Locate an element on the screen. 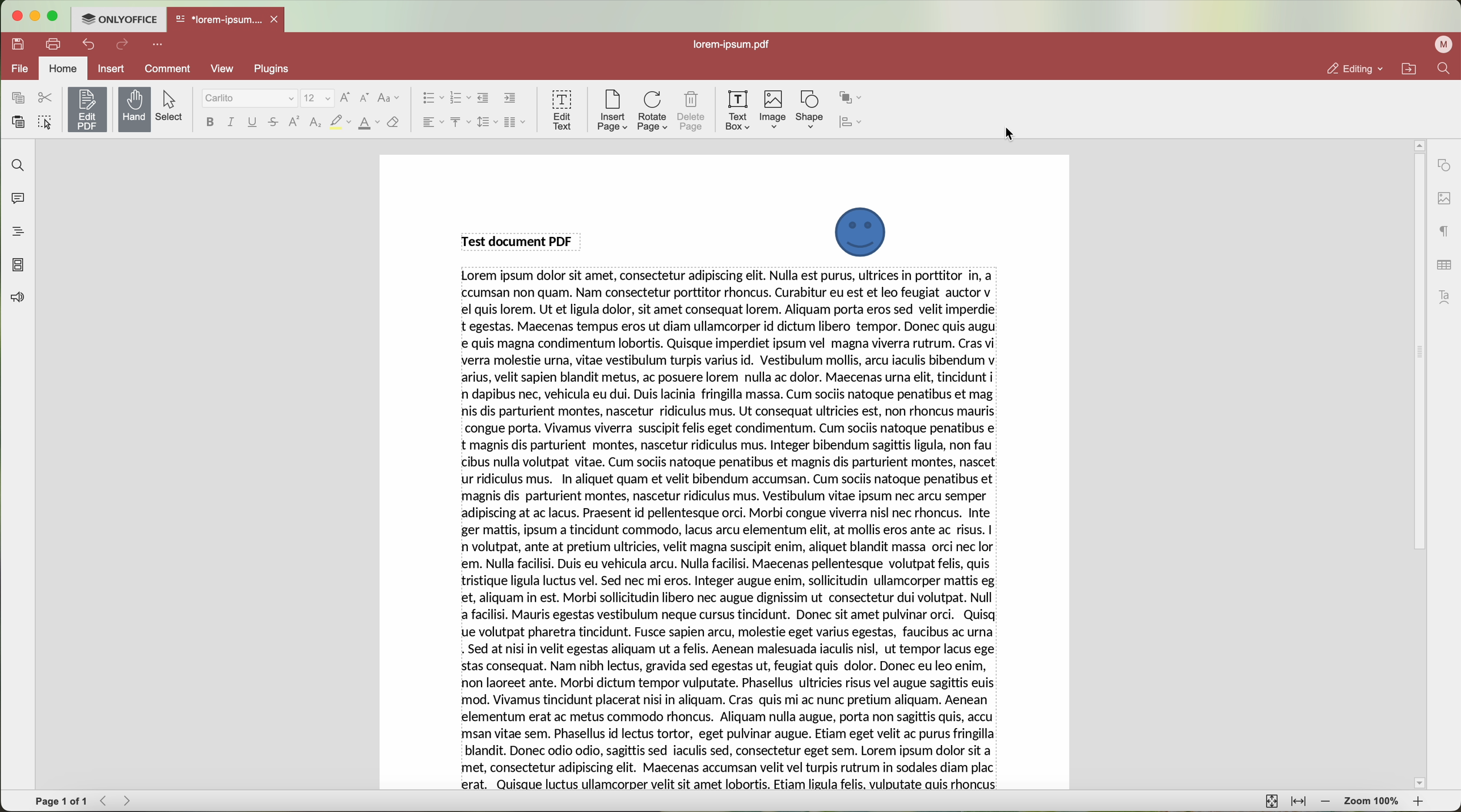  change case is located at coordinates (389, 98).